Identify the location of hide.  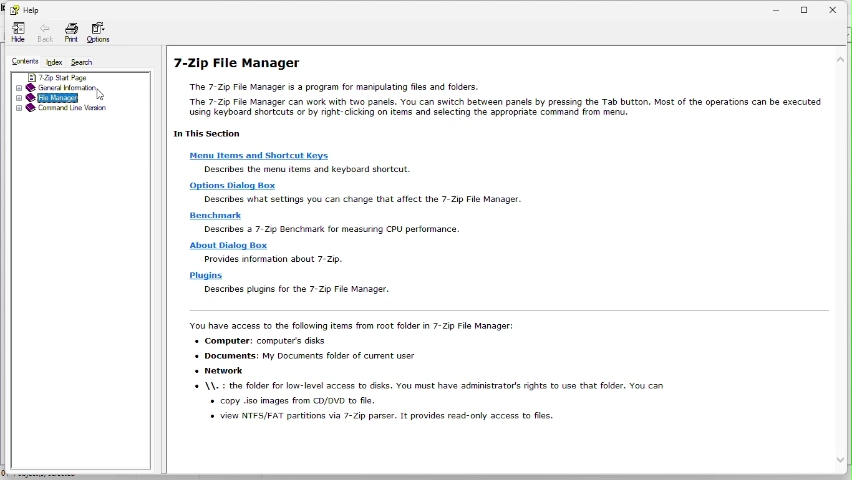
(17, 33).